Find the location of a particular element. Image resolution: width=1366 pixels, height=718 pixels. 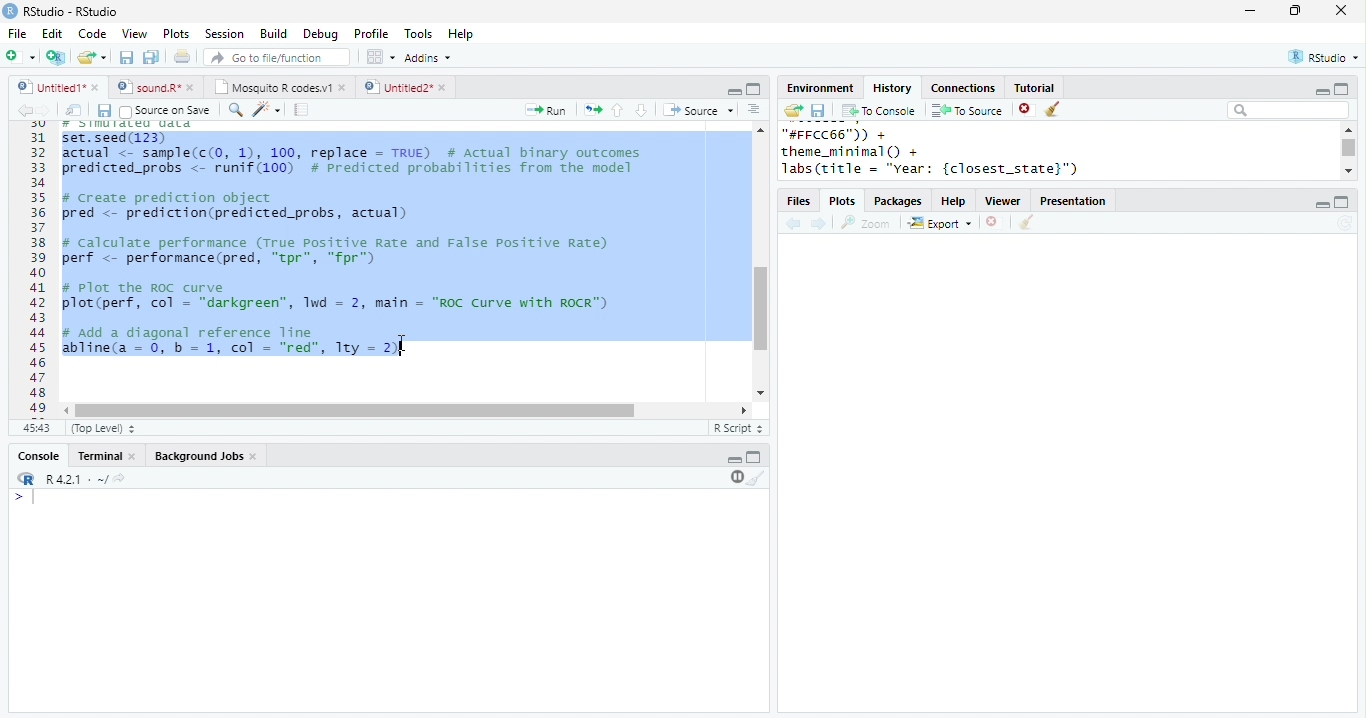

Environment is located at coordinates (819, 88).